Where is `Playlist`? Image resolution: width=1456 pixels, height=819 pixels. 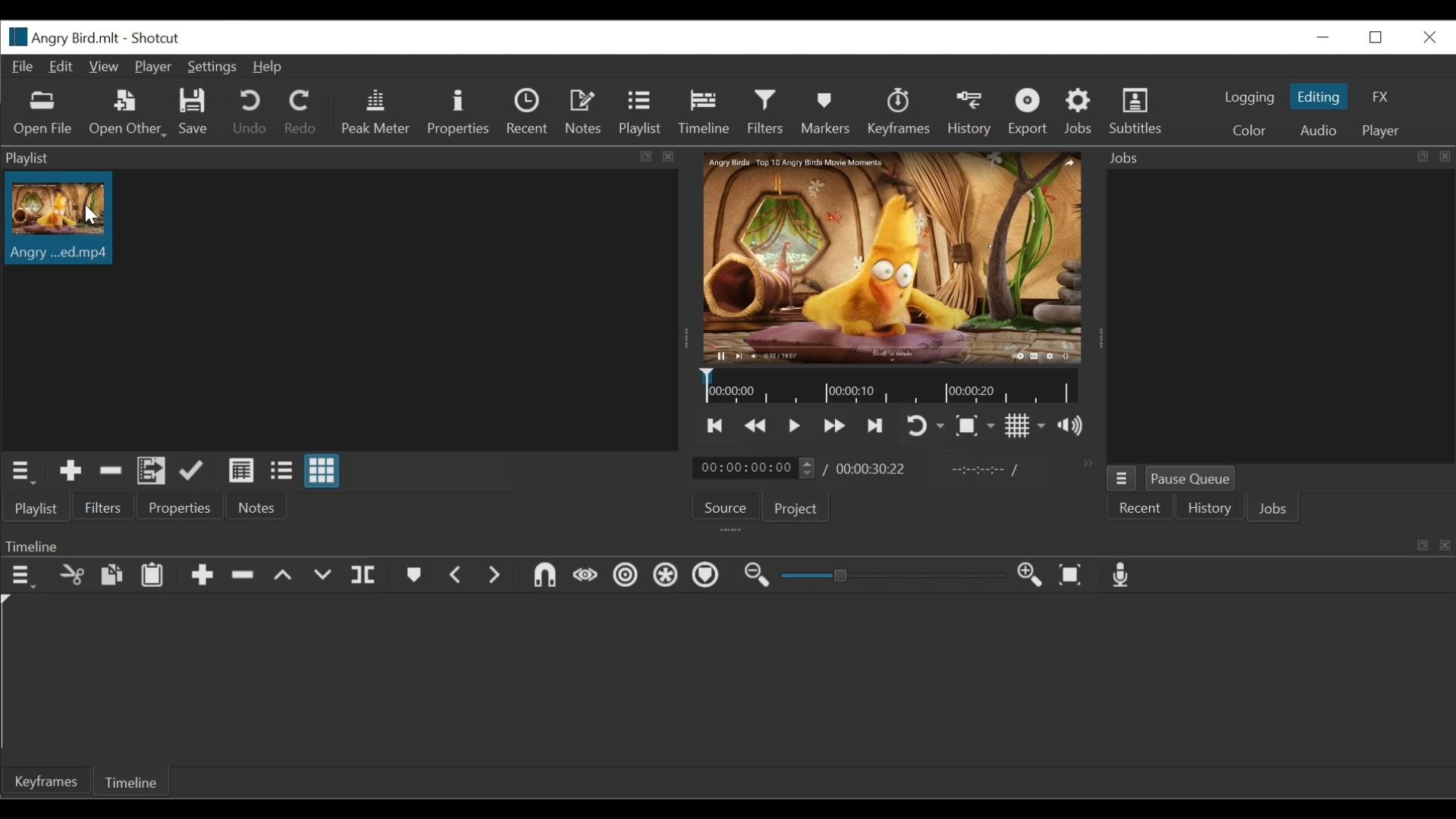 Playlist is located at coordinates (640, 114).